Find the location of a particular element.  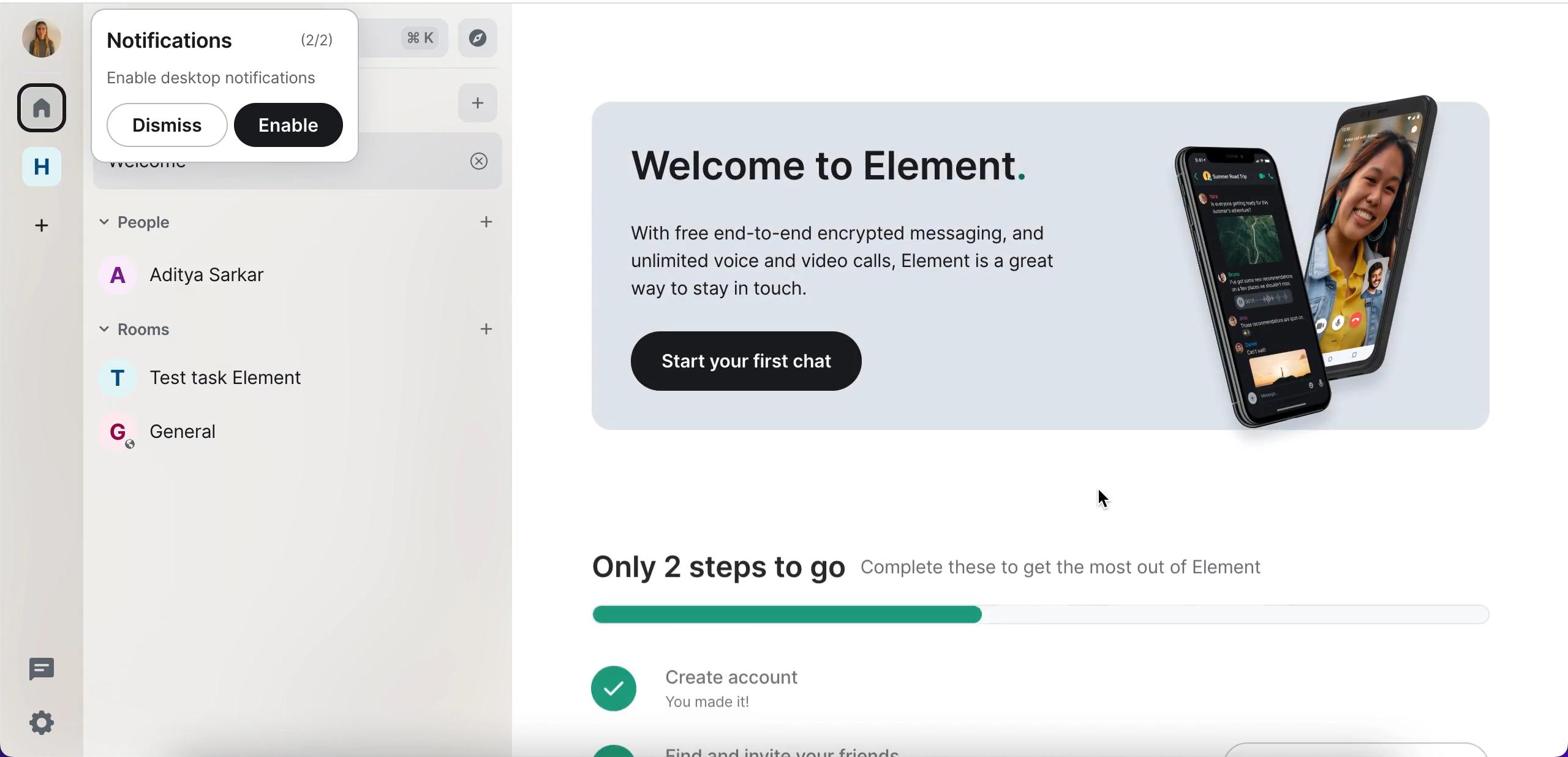

rooms is located at coordinates (45, 105).